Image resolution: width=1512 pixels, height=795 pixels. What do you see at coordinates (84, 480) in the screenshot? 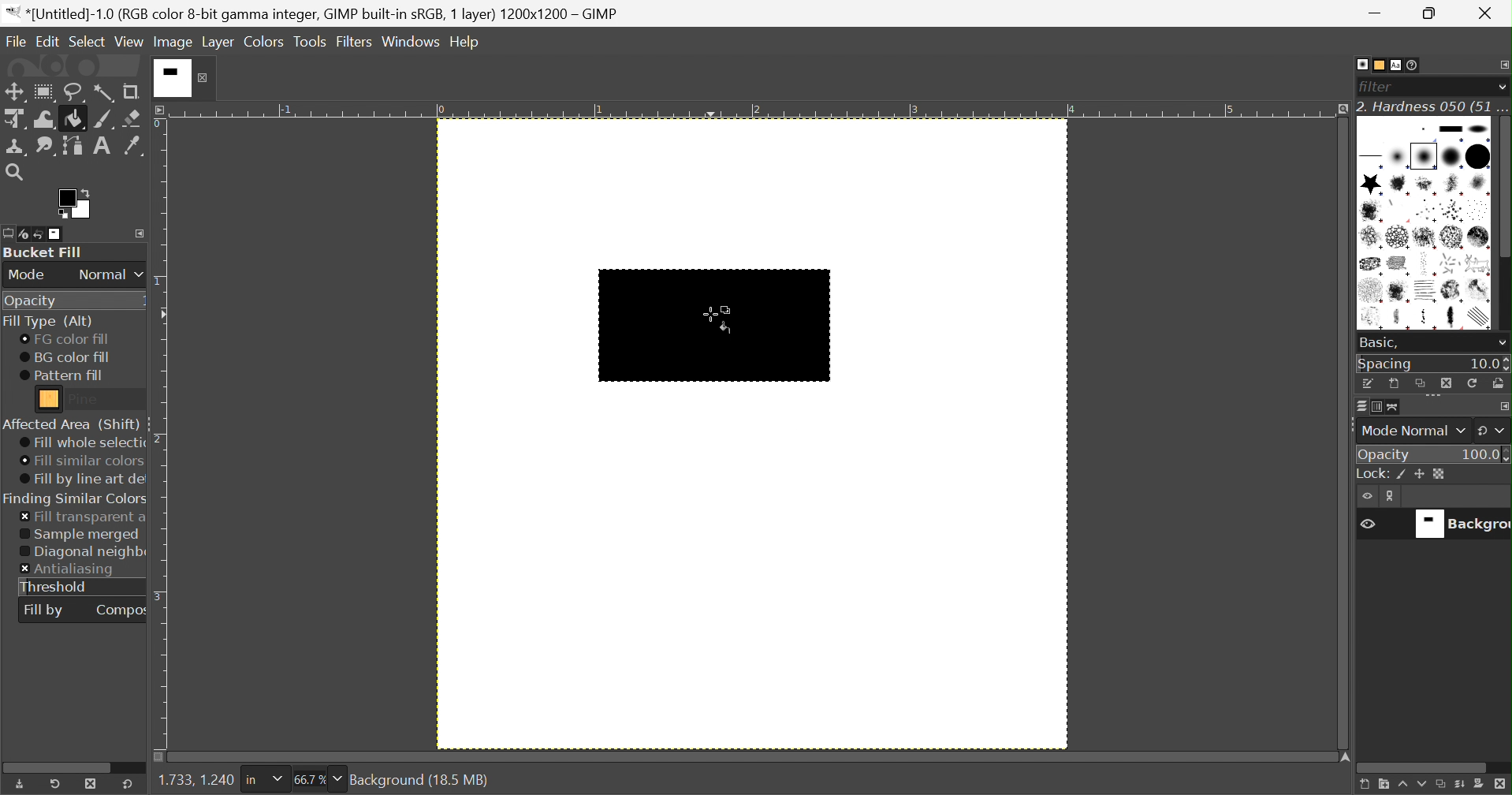
I see `Fill by line art detection` at bounding box center [84, 480].